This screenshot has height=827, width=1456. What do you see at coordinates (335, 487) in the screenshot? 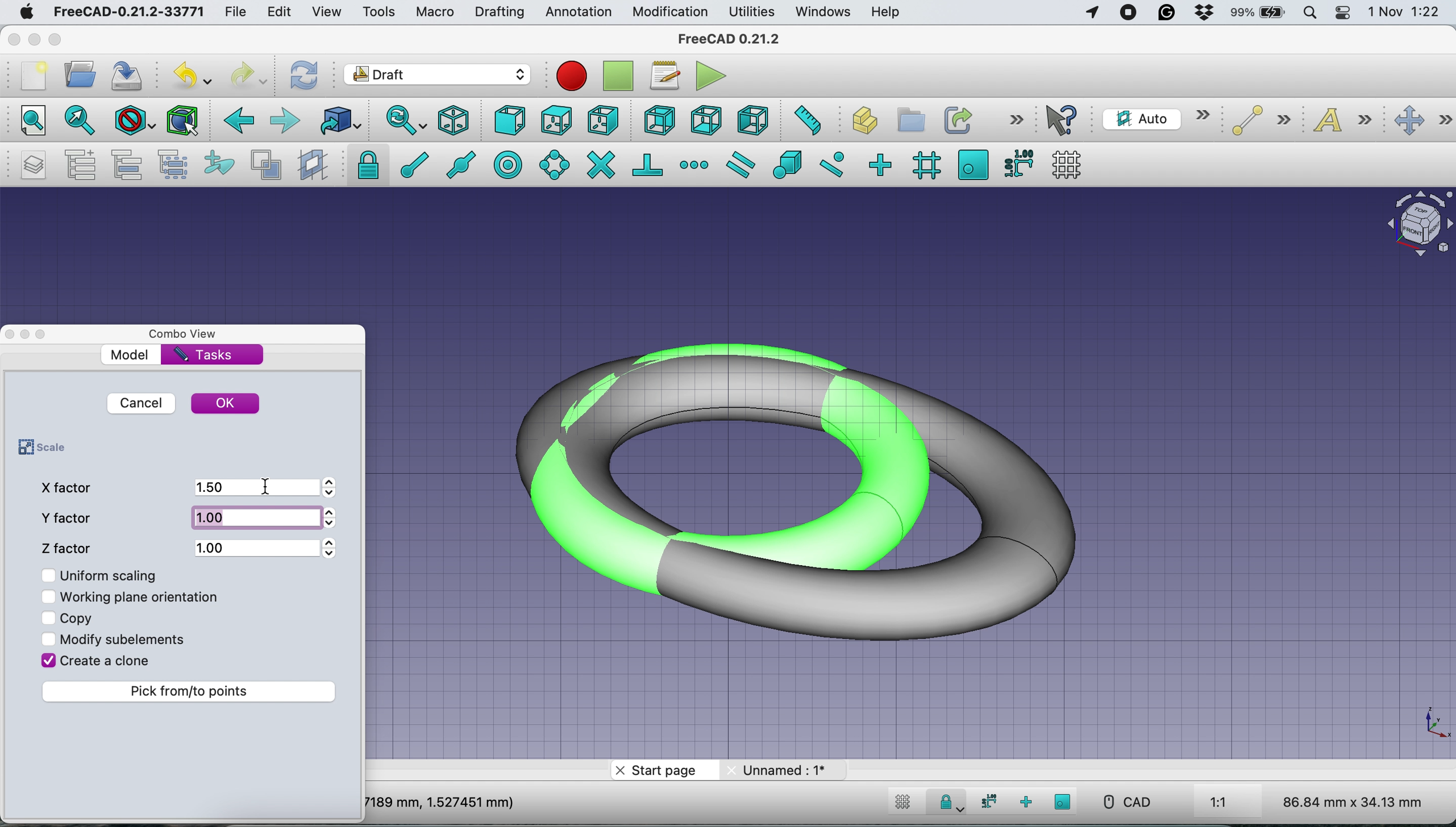
I see `Arrows` at bounding box center [335, 487].